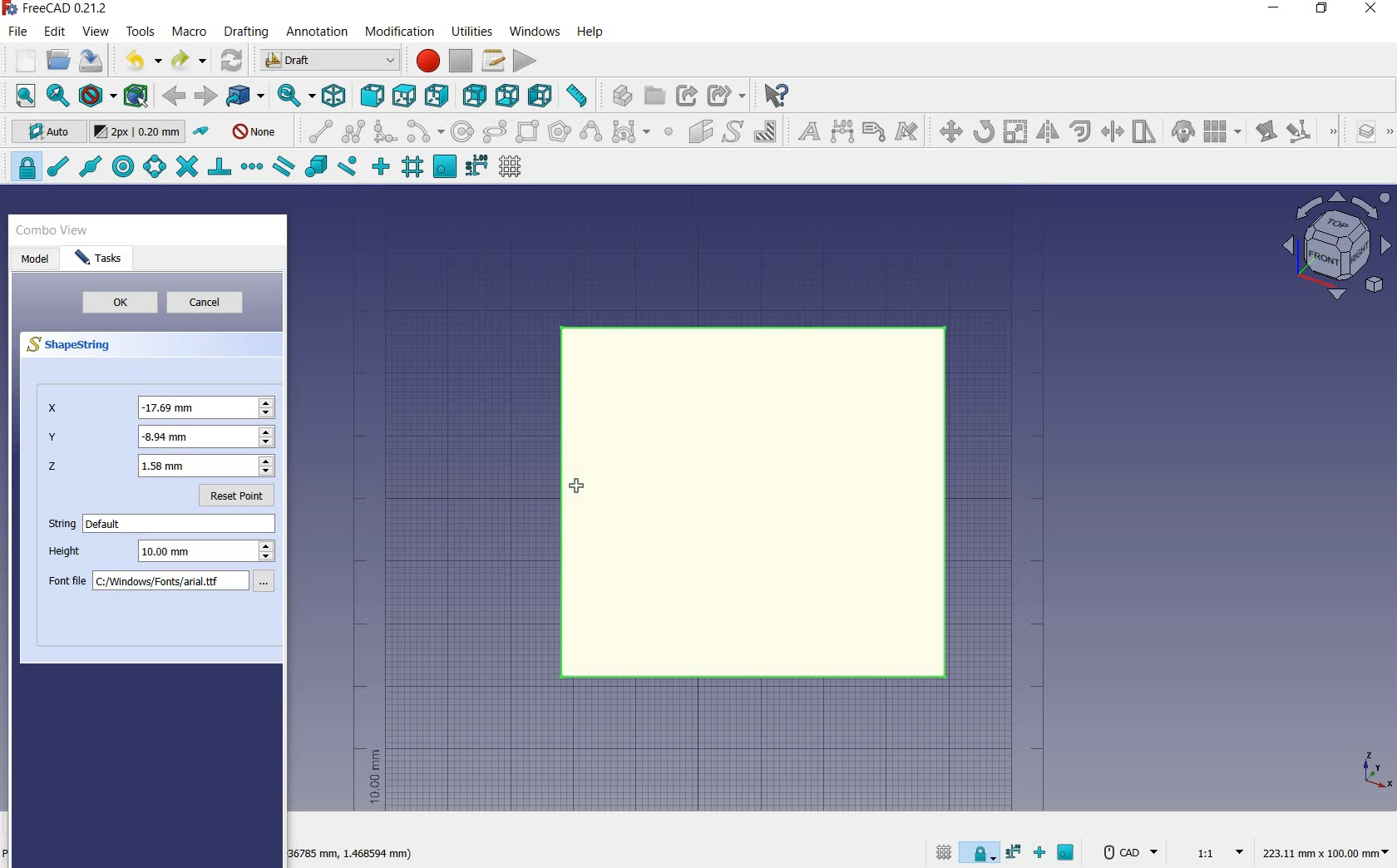  I want to click on combo view, so click(52, 230).